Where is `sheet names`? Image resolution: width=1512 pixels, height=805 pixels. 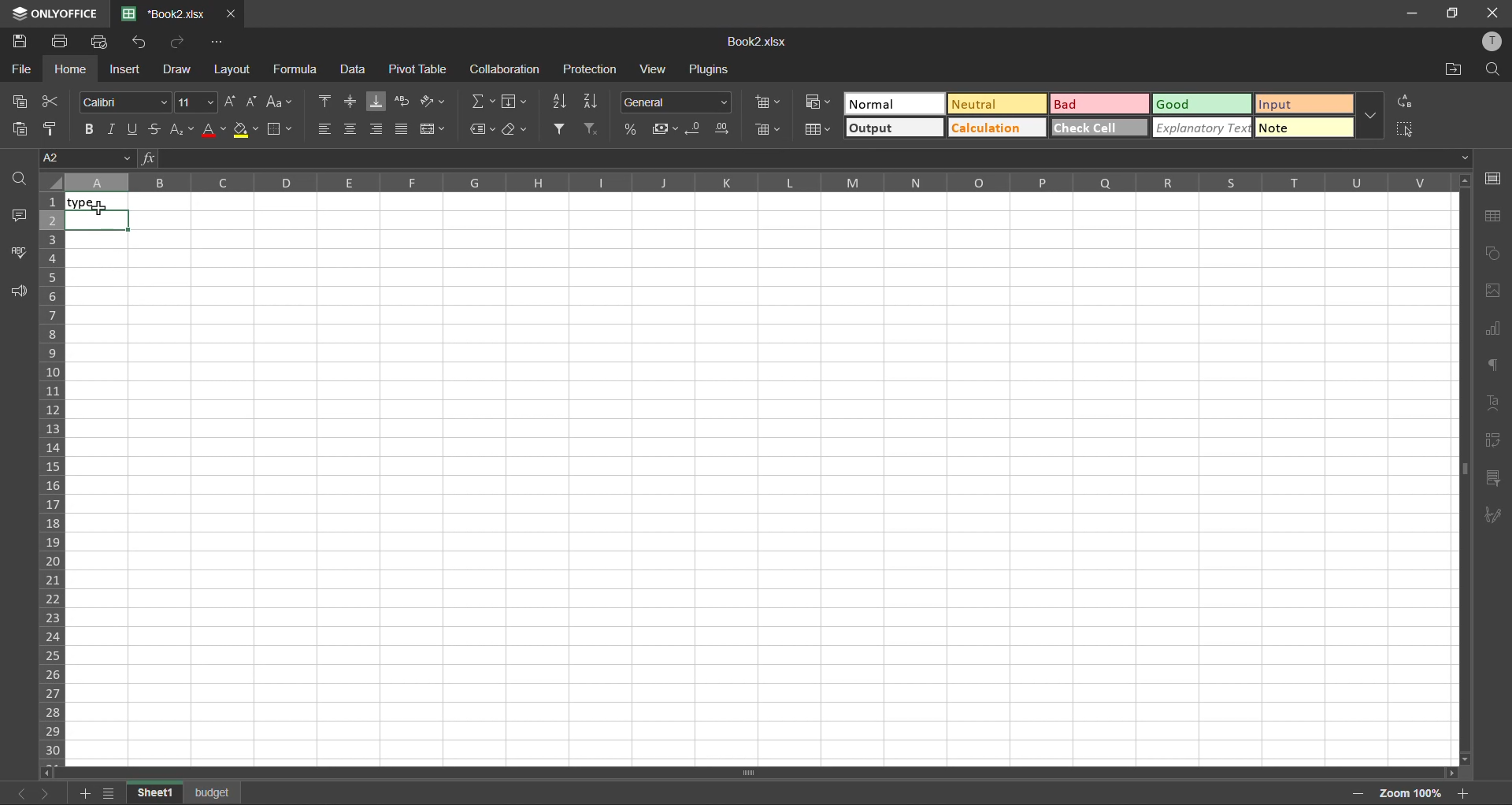 sheet names is located at coordinates (184, 794).